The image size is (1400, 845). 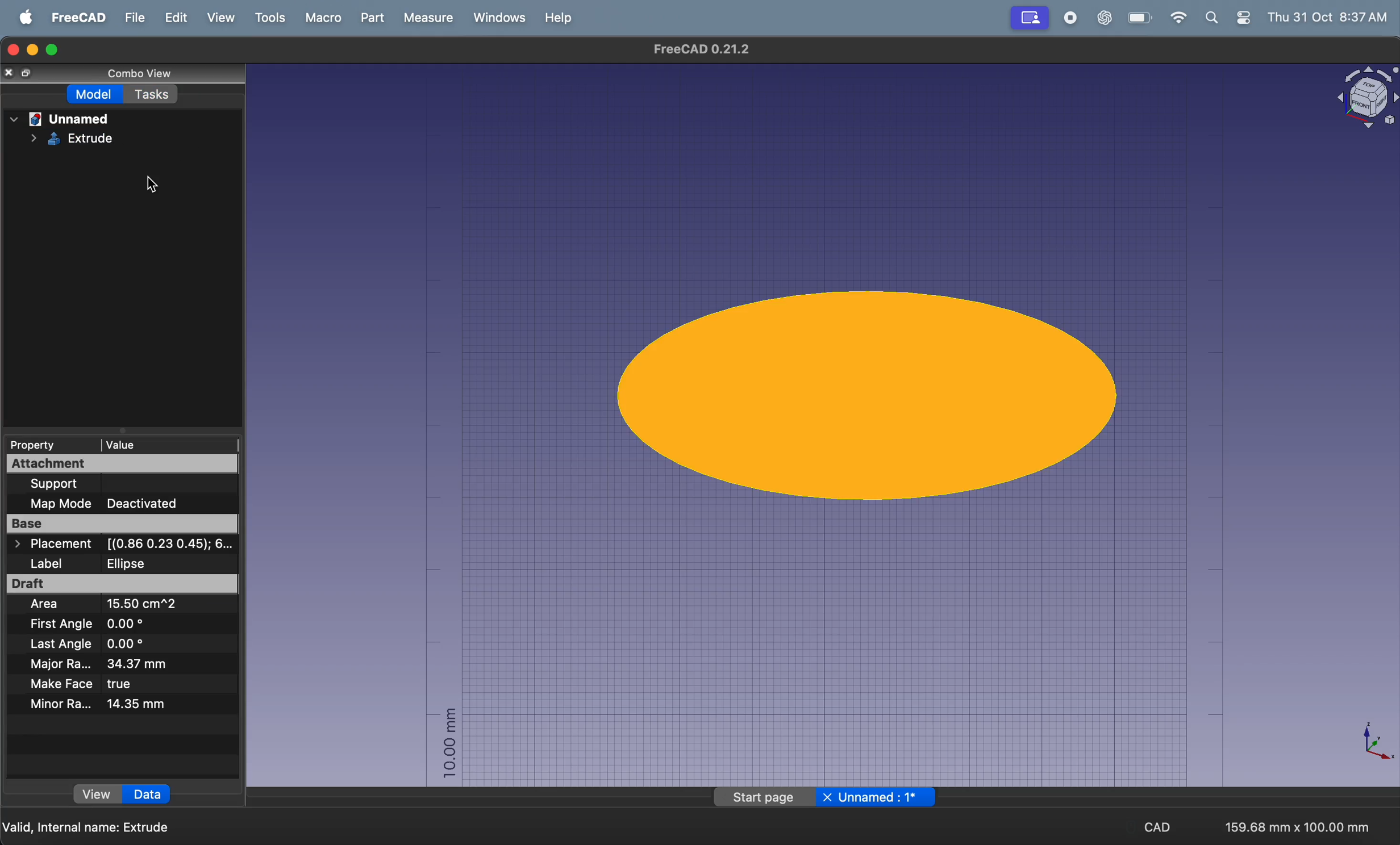 I want to click on placement, so click(x=129, y=545).